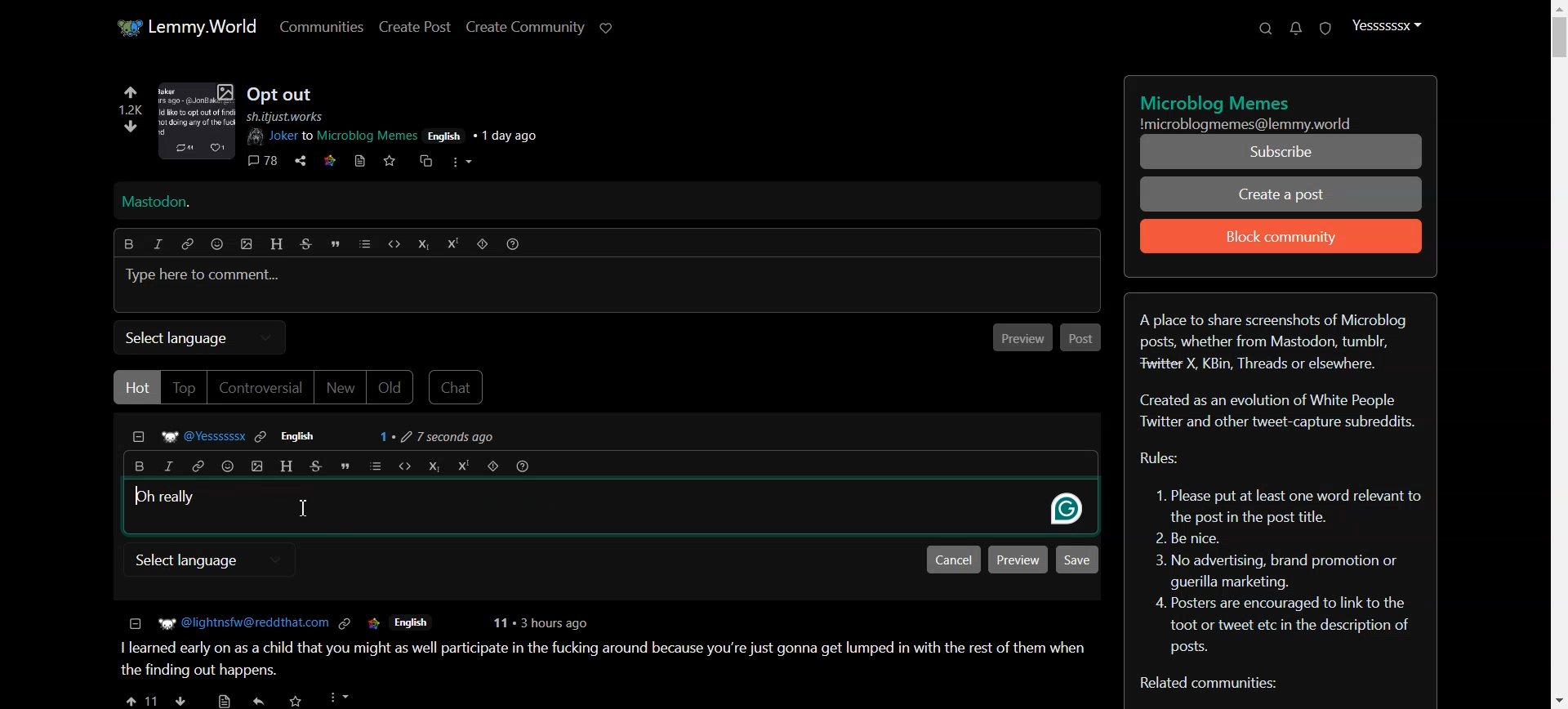  What do you see at coordinates (1295, 29) in the screenshot?
I see `Unread message` at bounding box center [1295, 29].